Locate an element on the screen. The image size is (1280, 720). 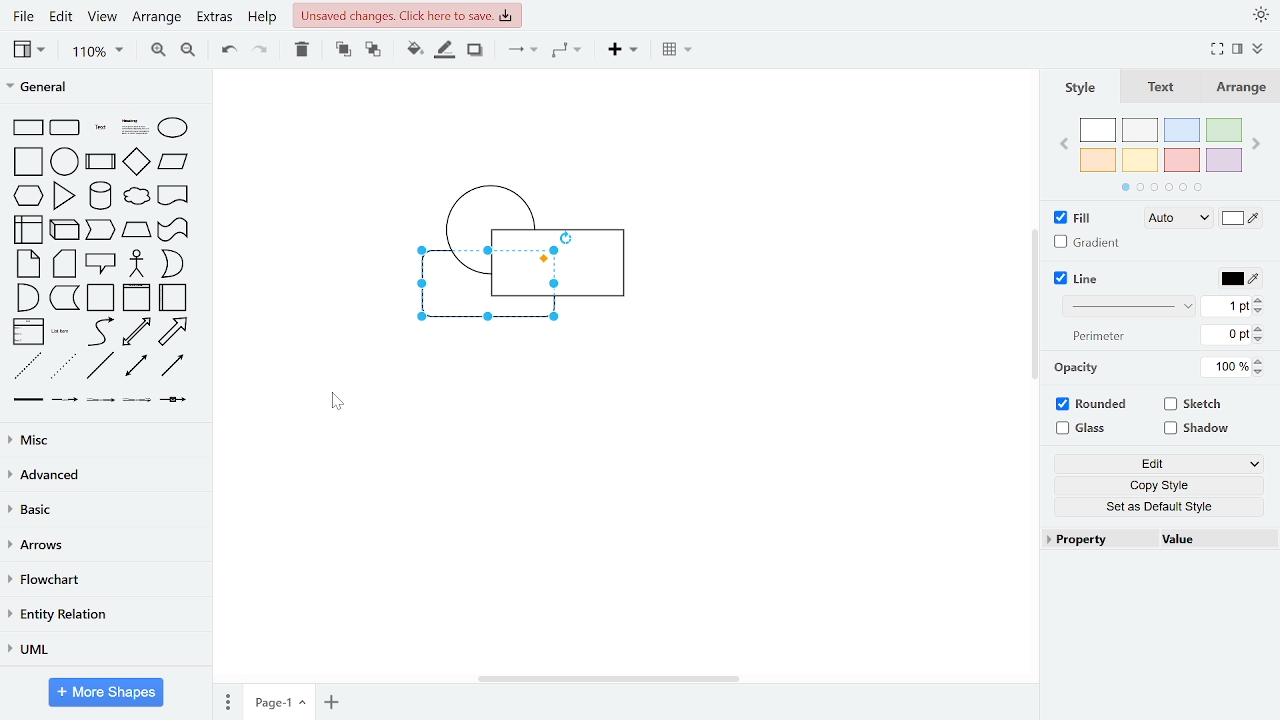
violet is located at coordinates (1222, 161).